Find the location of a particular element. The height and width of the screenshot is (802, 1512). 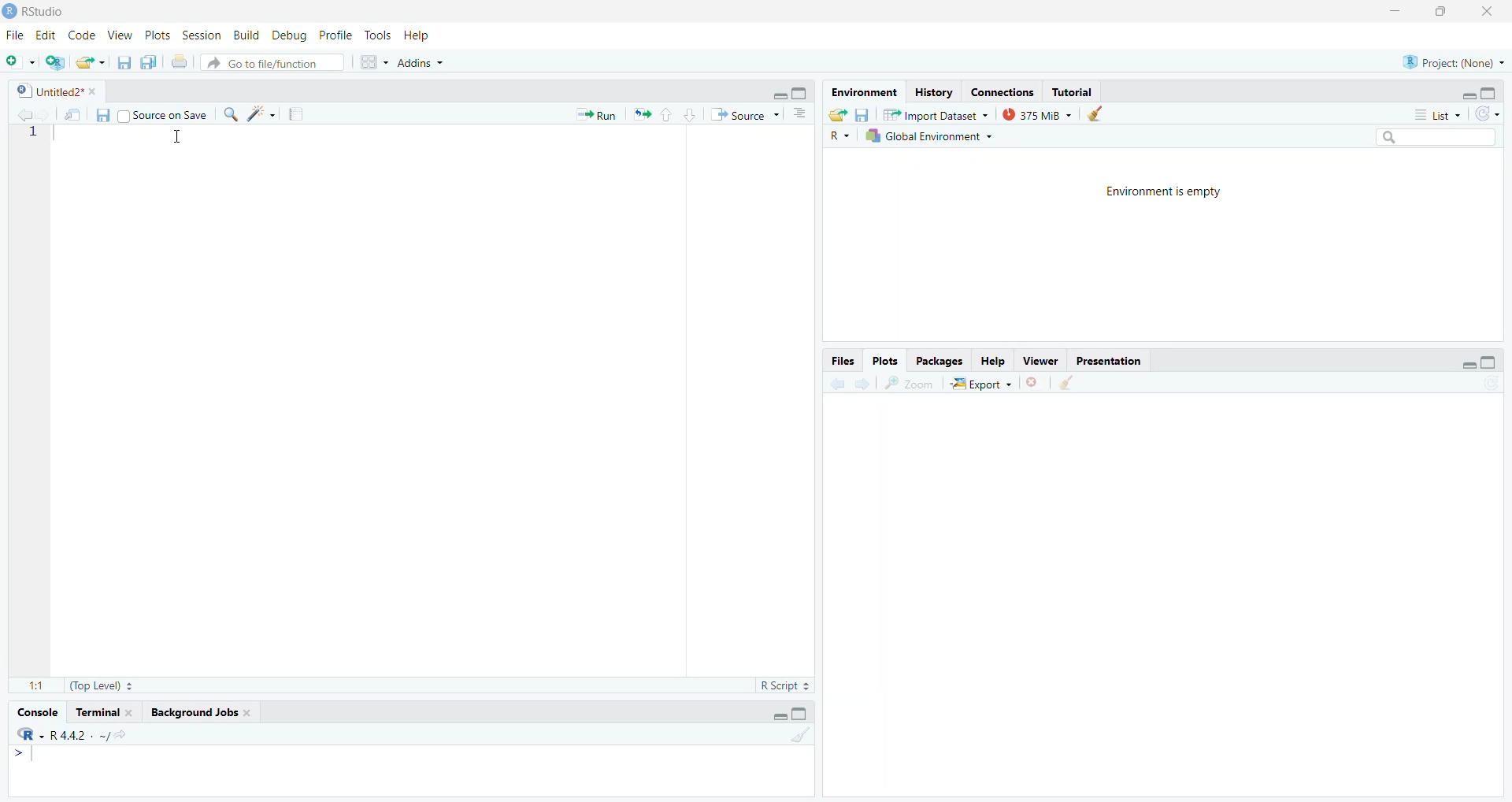

save is located at coordinates (864, 114).